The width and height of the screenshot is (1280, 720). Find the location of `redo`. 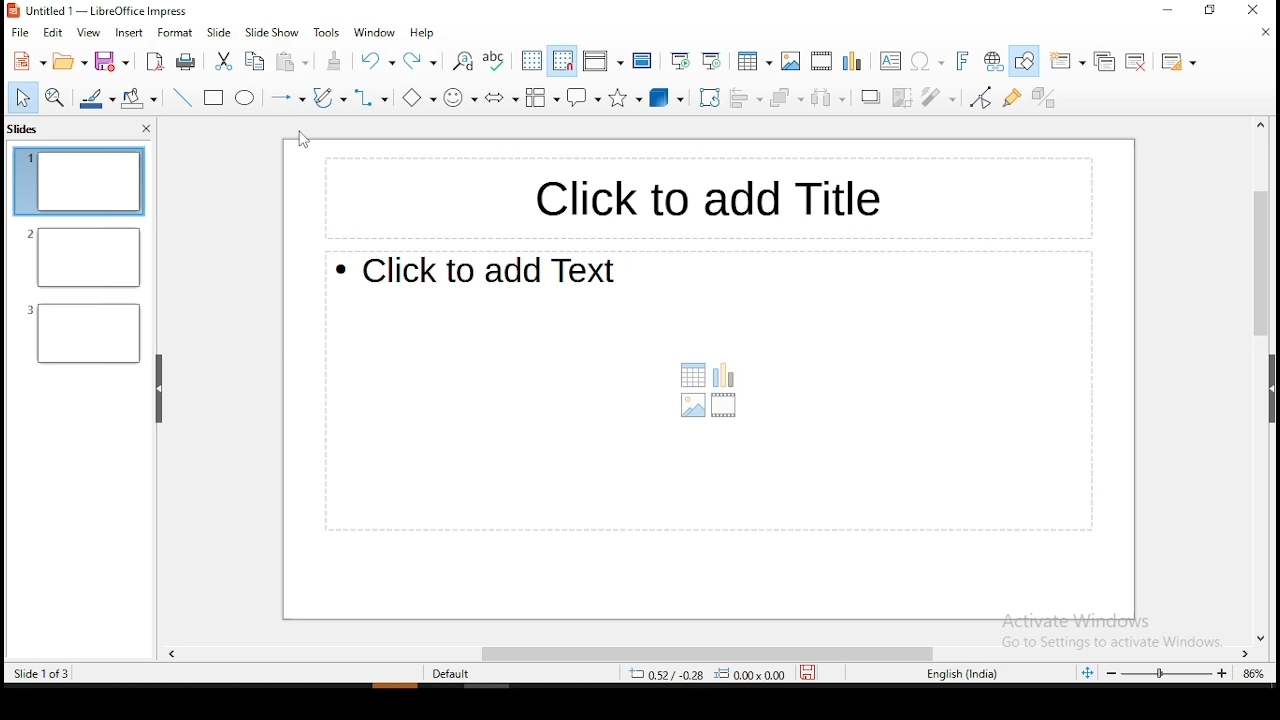

redo is located at coordinates (426, 65).